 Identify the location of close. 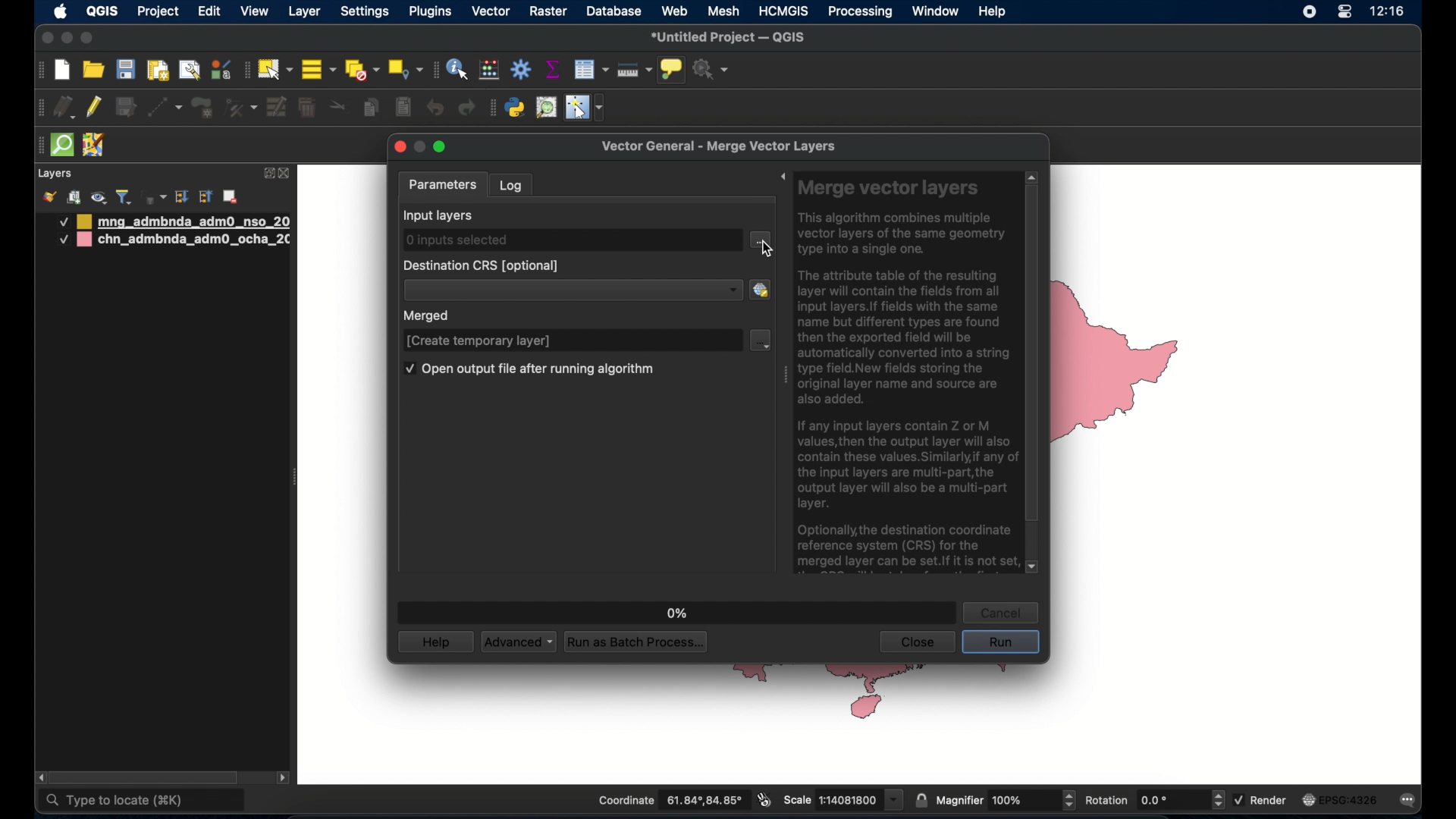
(45, 39).